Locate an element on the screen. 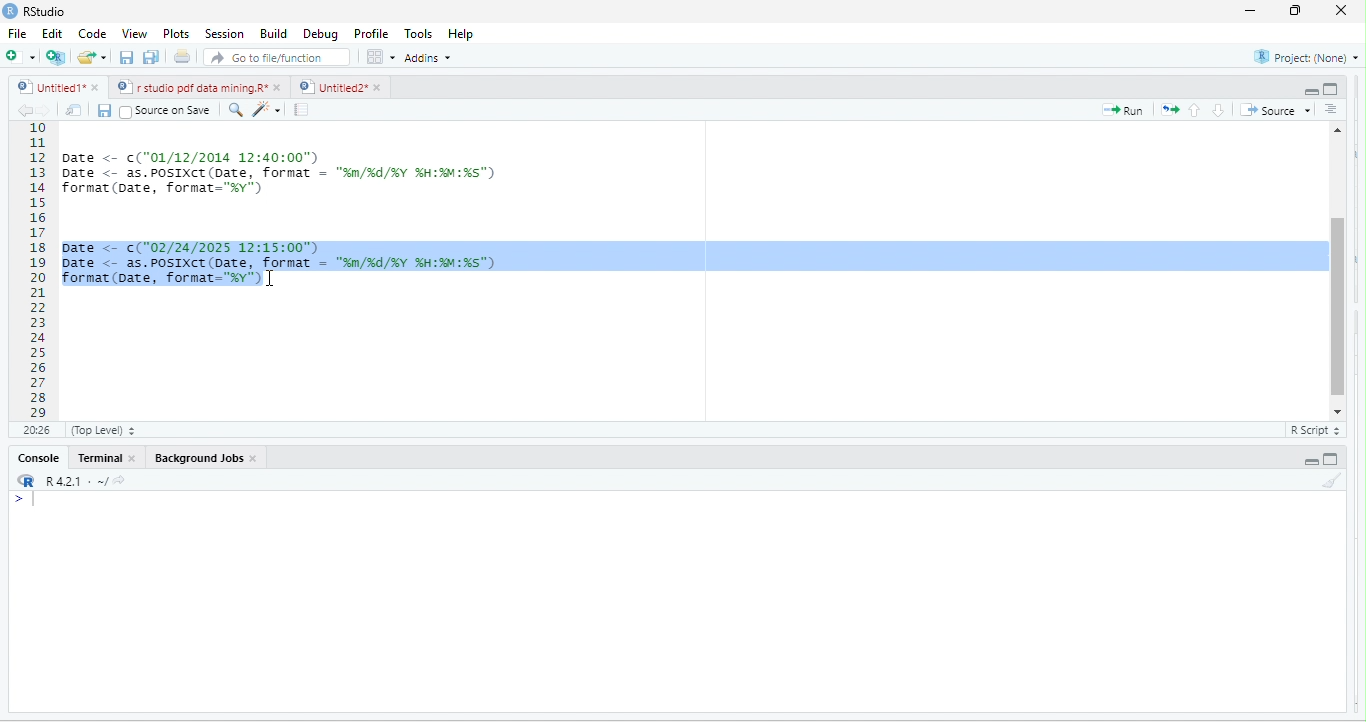 The height and width of the screenshot is (722, 1366). minimize is located at coordinates (1251, 12).